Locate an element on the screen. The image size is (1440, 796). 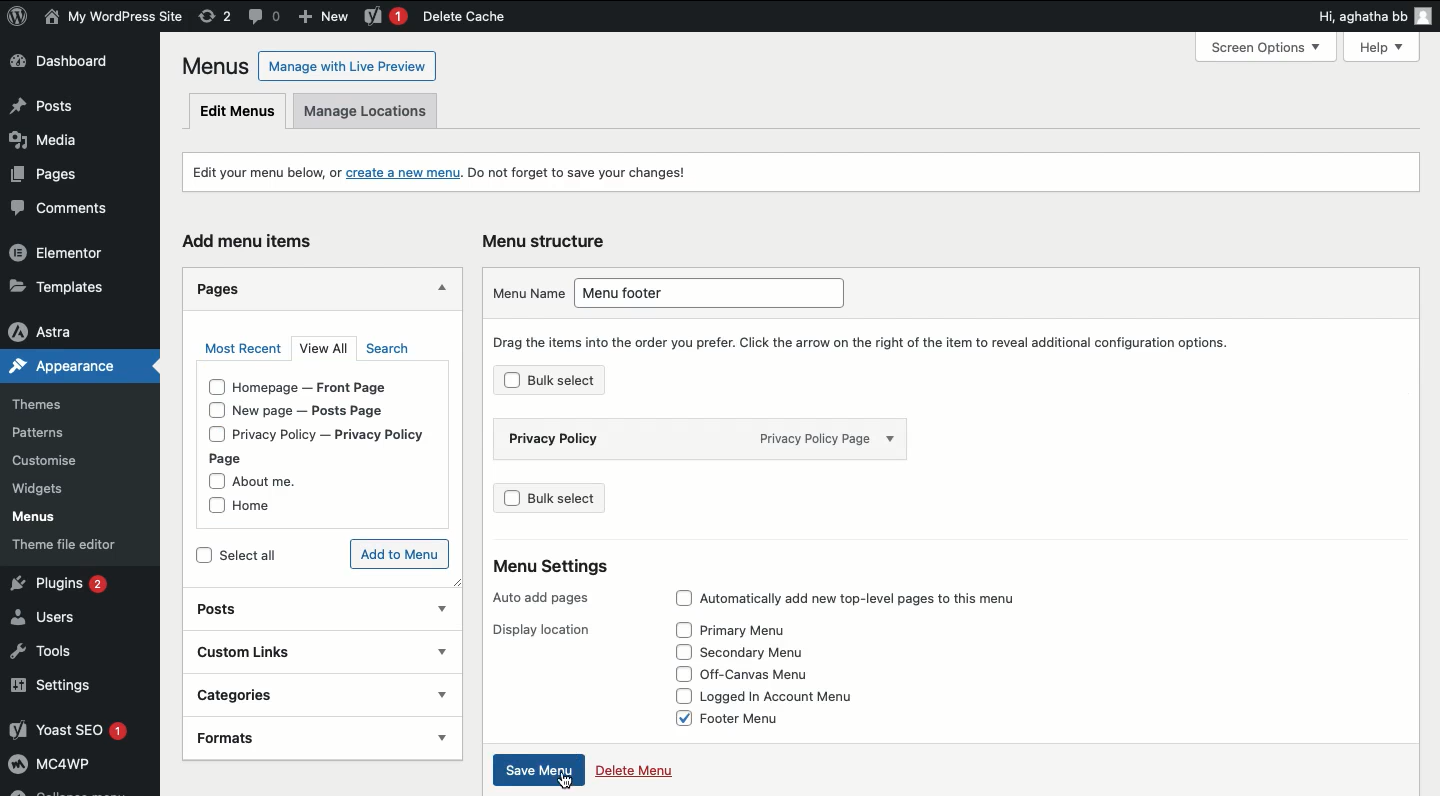
Dashboard is located at coordinates (71, 64).